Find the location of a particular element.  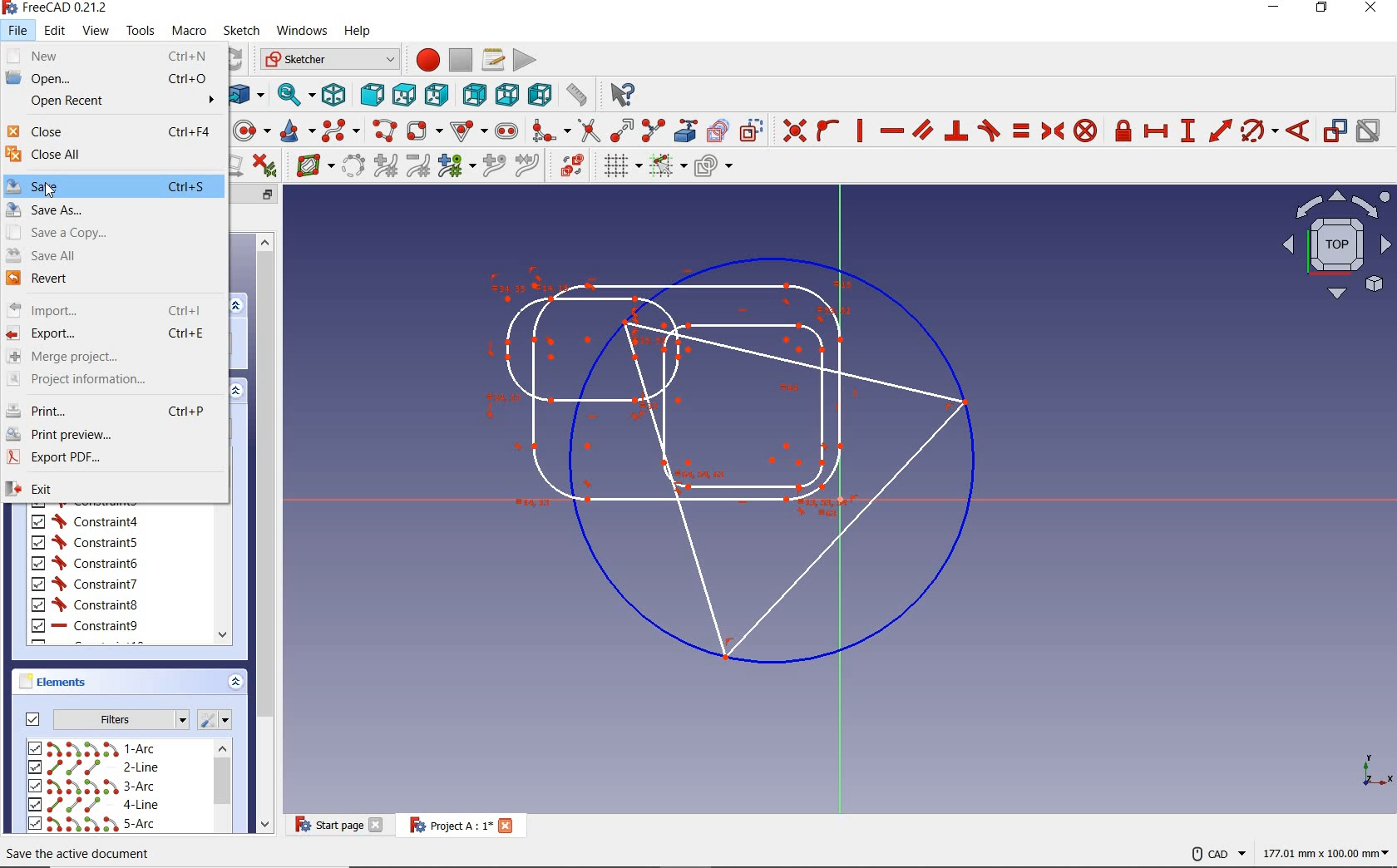

create carbon copy is located at coordinates (718, 131).